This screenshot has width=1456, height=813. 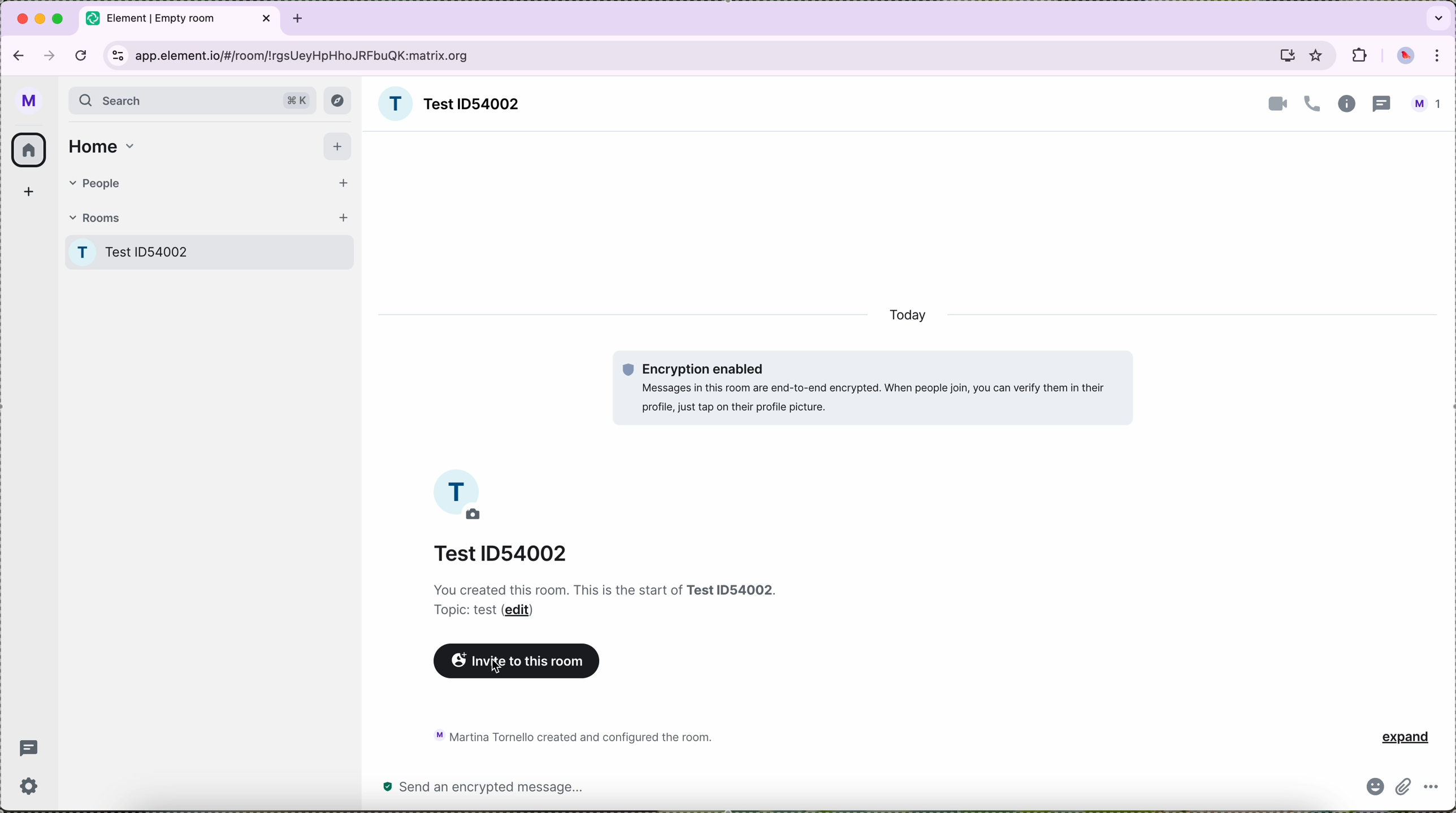 I want to click on send a message, so click(x=537, y=788).